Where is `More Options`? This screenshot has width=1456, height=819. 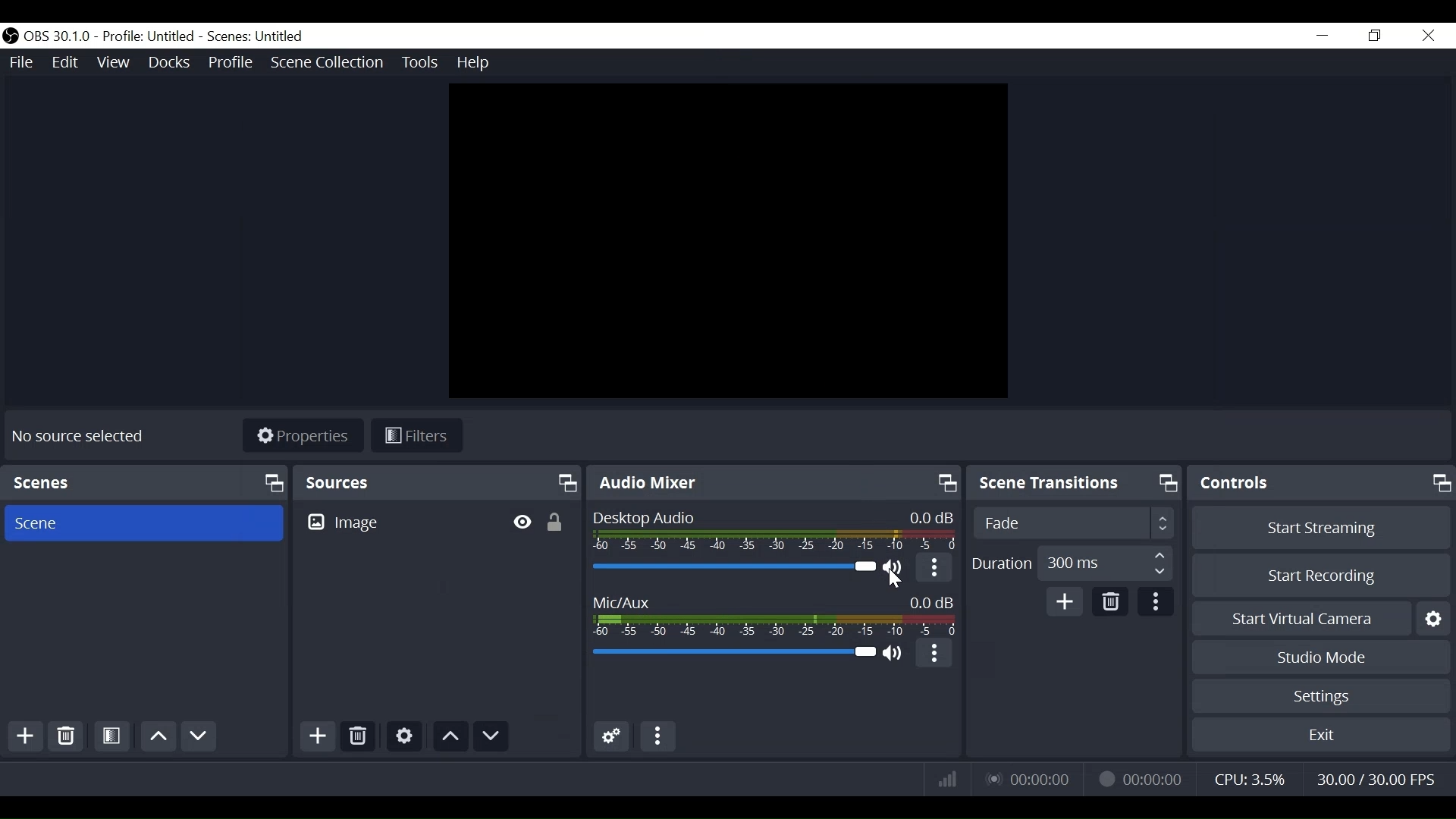
More Options is located at coordinates (938, 571).